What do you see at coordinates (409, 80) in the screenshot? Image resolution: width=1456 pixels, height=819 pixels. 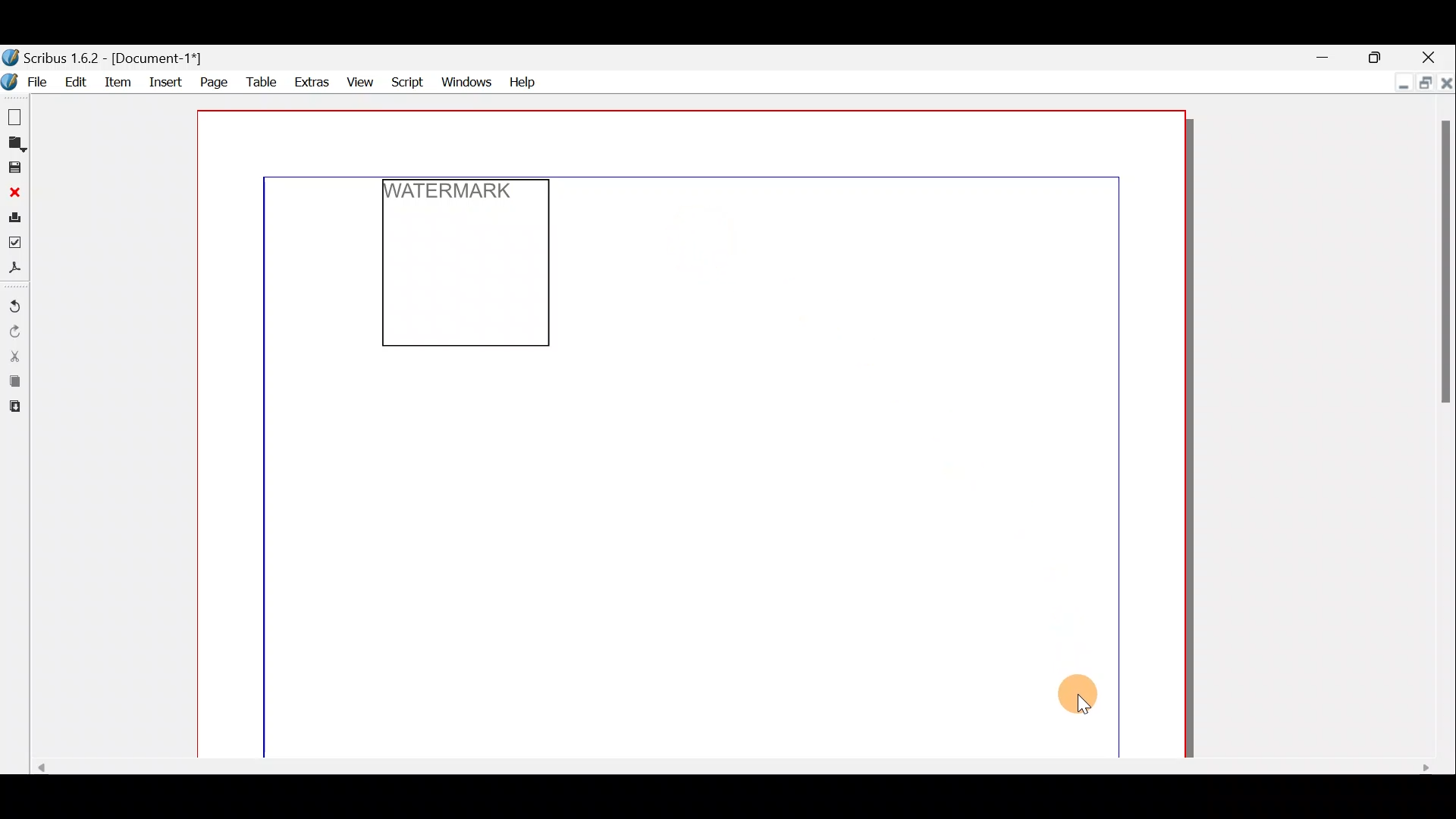 I see `Script` at bounding box center [409, 80].